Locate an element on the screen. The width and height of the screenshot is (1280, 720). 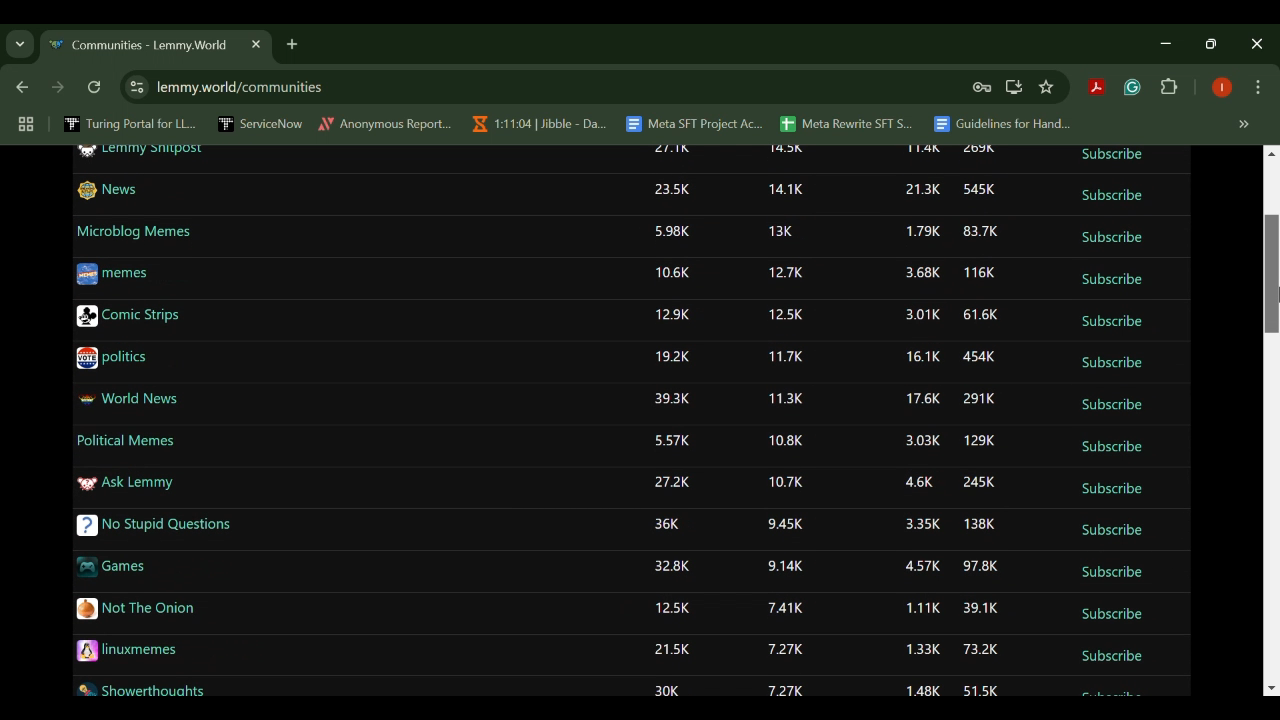
Scroll Bar is located at coordinates (1272, 419).